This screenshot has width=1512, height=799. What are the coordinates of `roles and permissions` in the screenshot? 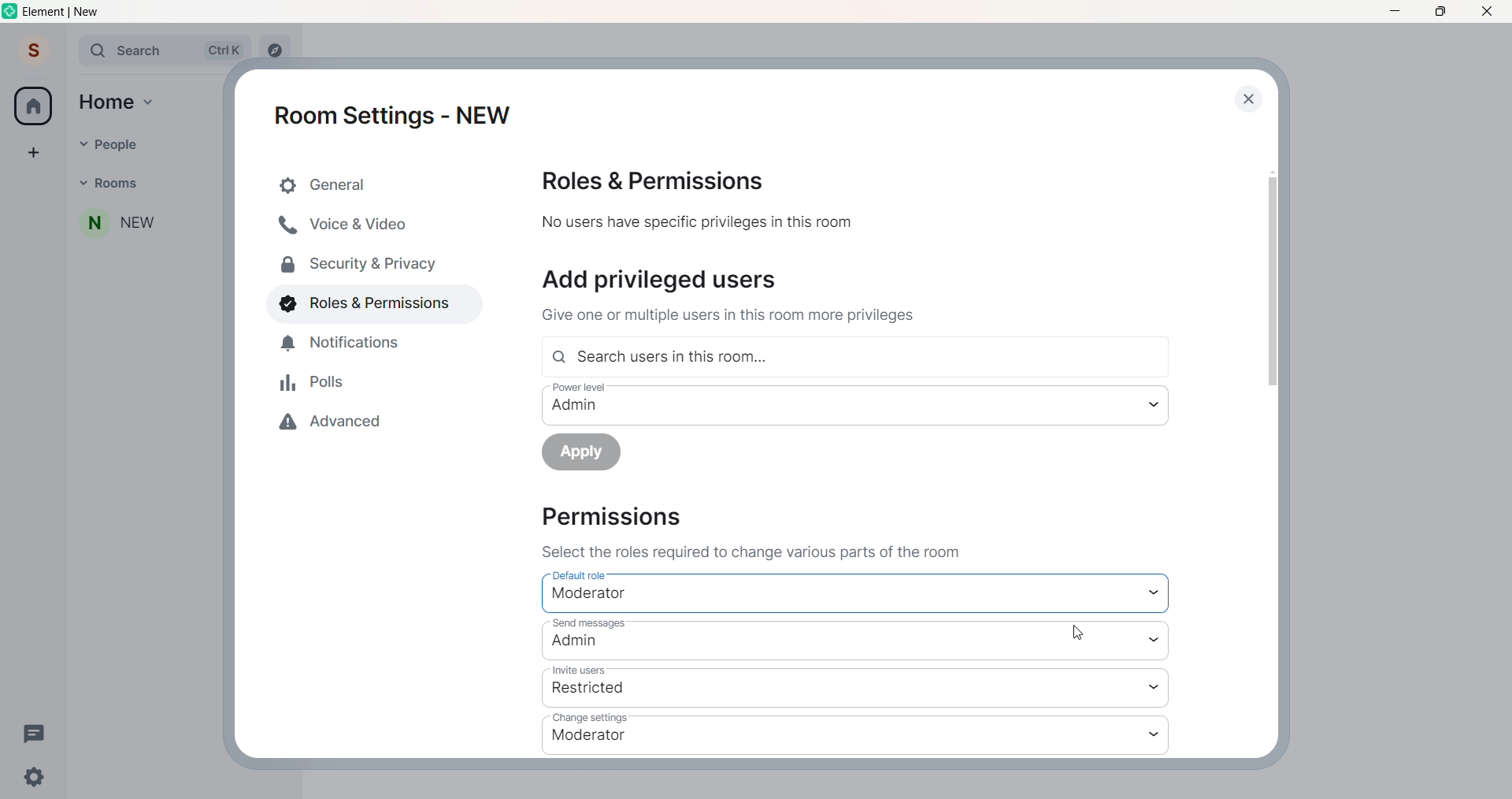 It's located at (365, 303).